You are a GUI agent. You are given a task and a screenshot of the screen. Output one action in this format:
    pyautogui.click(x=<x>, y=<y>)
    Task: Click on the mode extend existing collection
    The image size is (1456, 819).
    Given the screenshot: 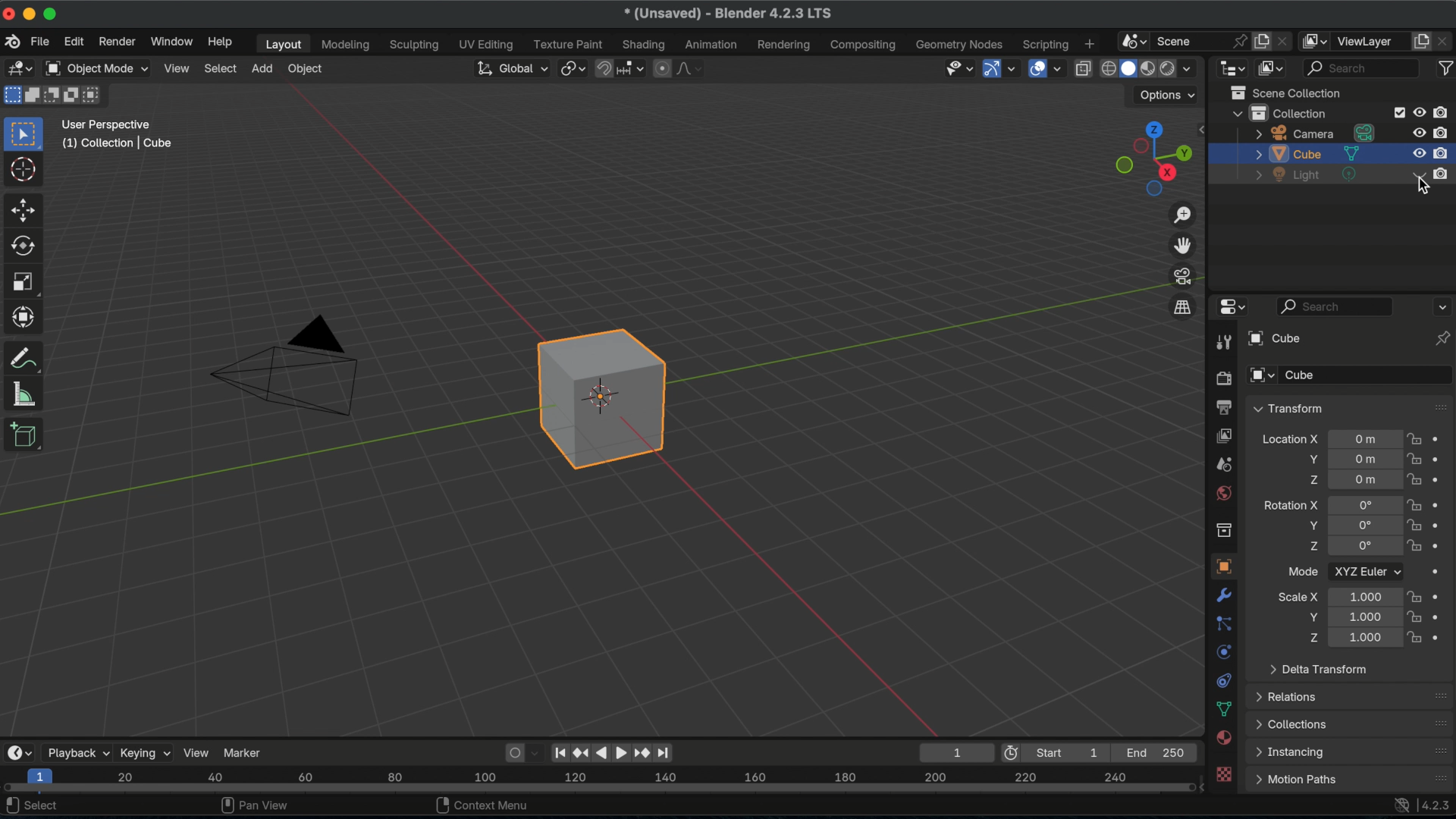 What is the action you would take?
    pyautogui.click(x=34, y=97)
    